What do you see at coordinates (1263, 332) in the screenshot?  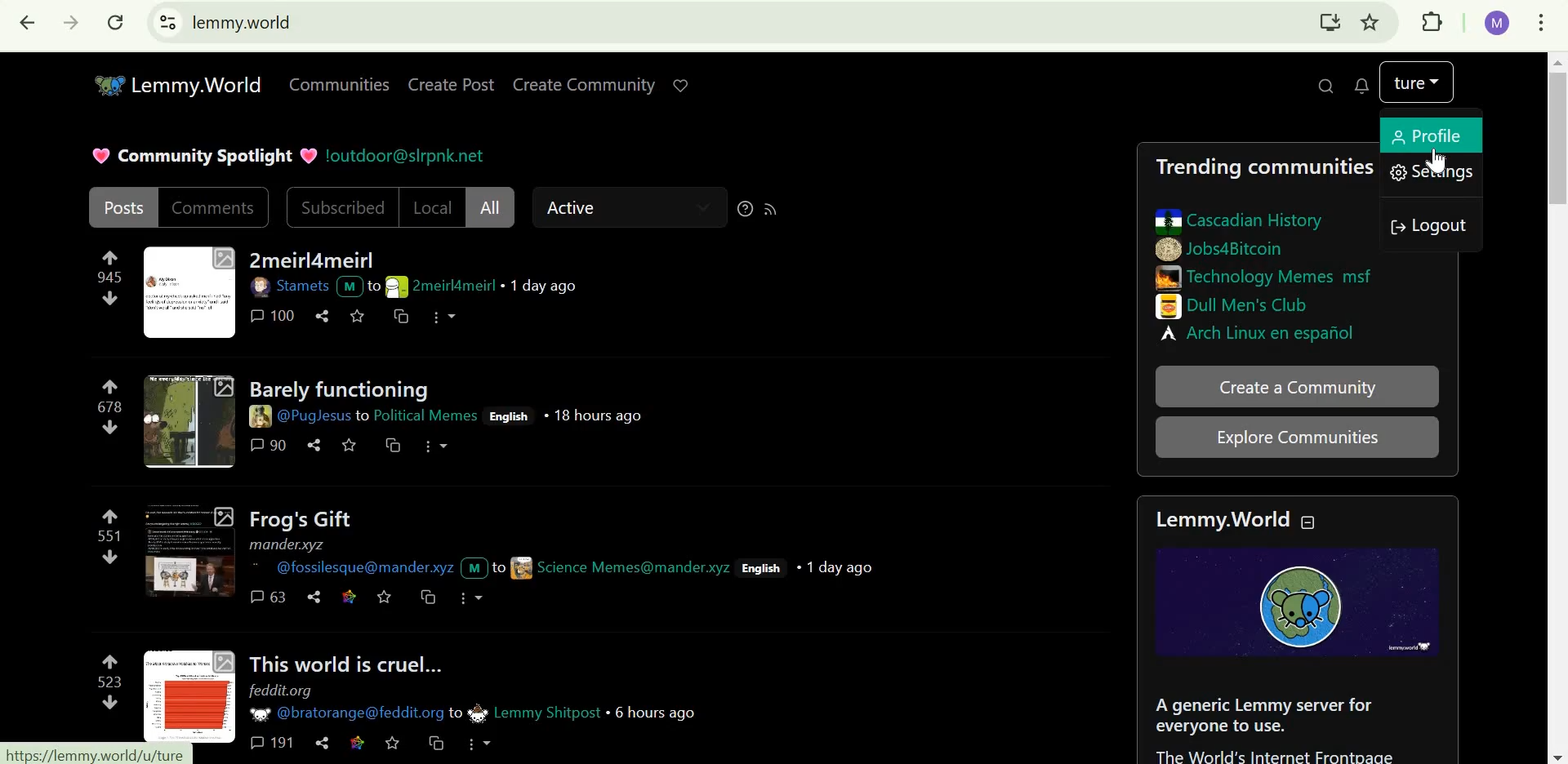 I see `Arch Linux en espanol` at bounding box center [1263, 332].